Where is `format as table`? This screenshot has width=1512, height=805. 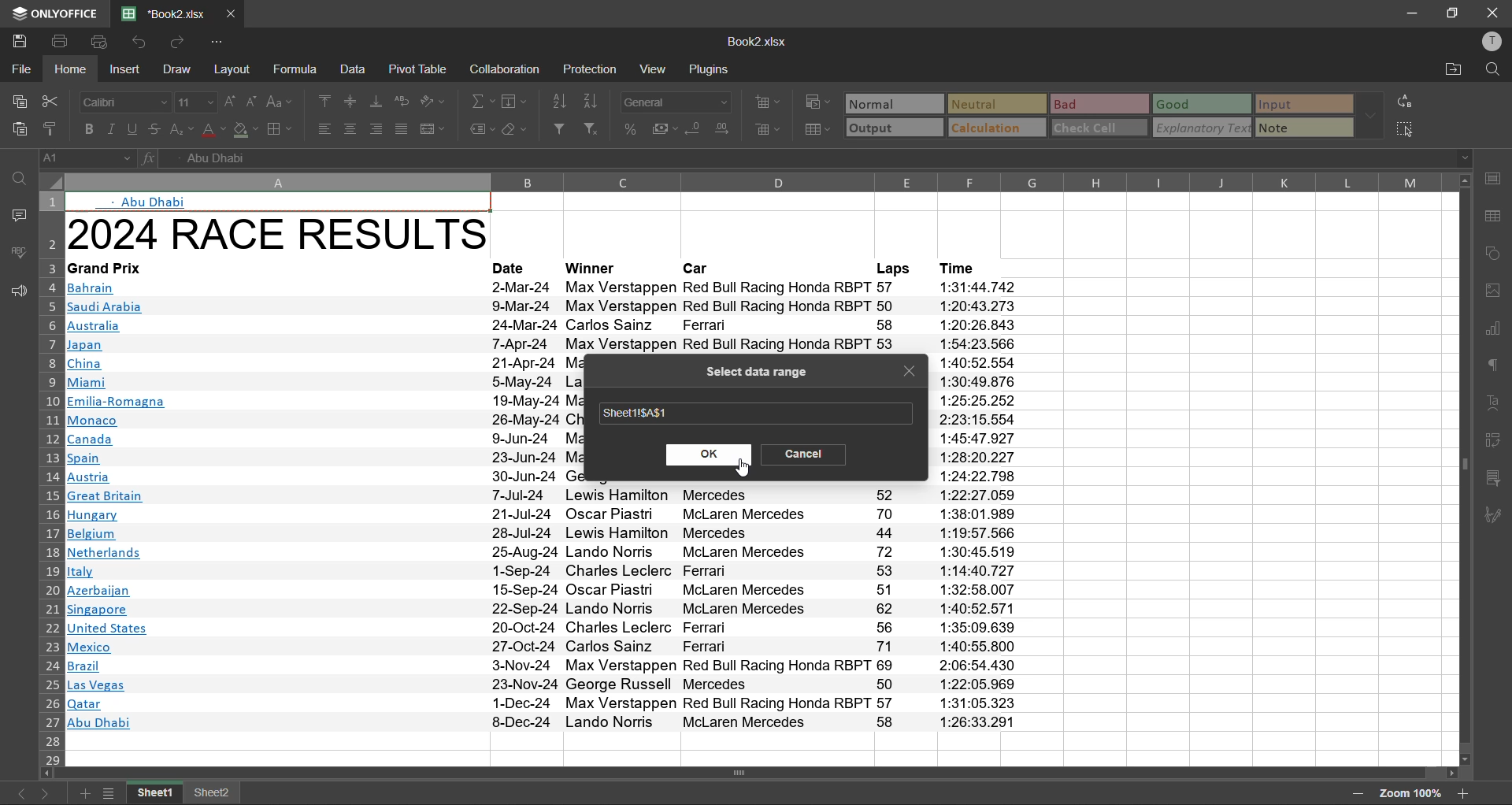 format as table is located at coordinates (815, 130).